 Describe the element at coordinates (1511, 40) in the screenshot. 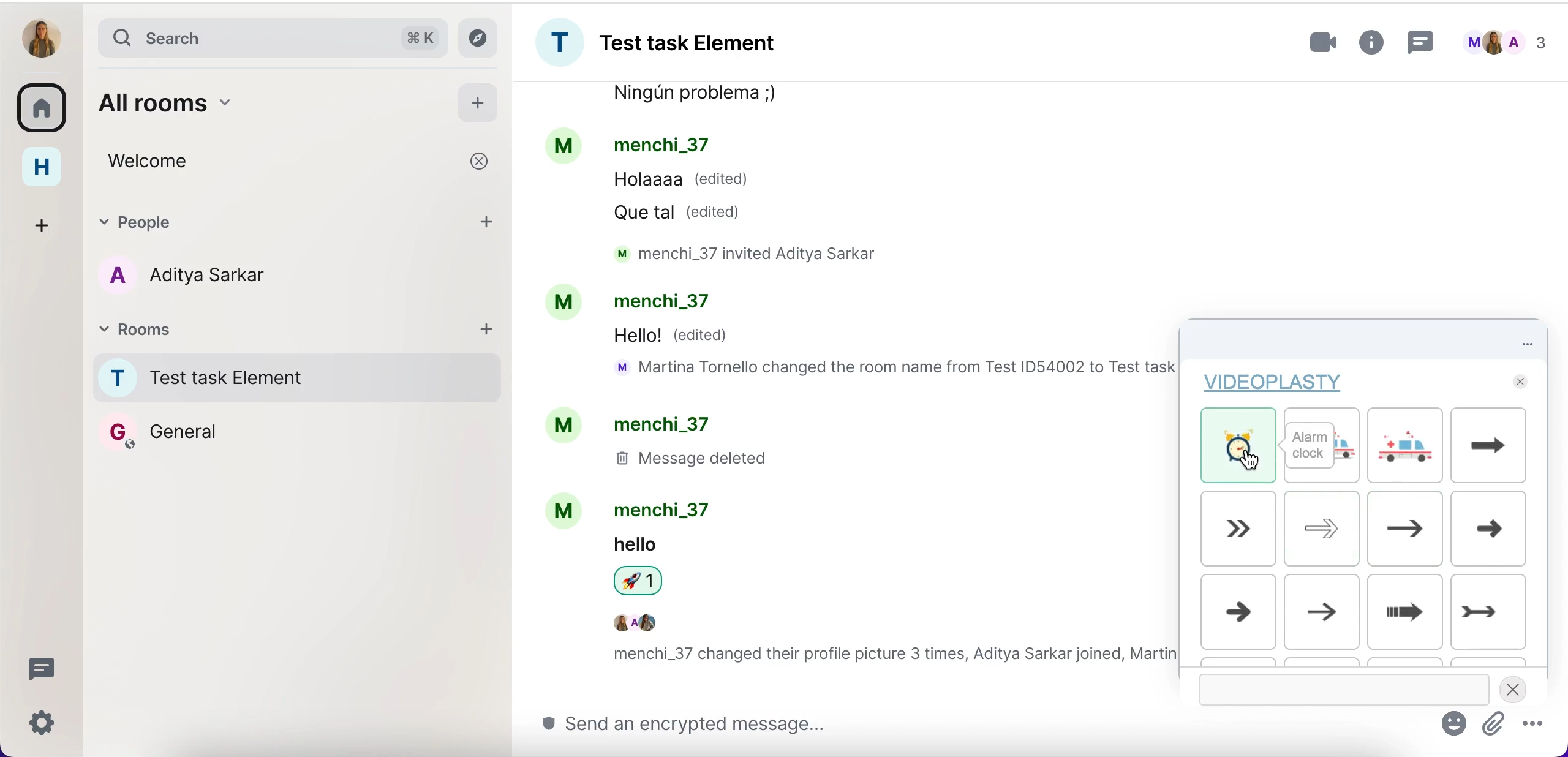

I see `chats` at that location.